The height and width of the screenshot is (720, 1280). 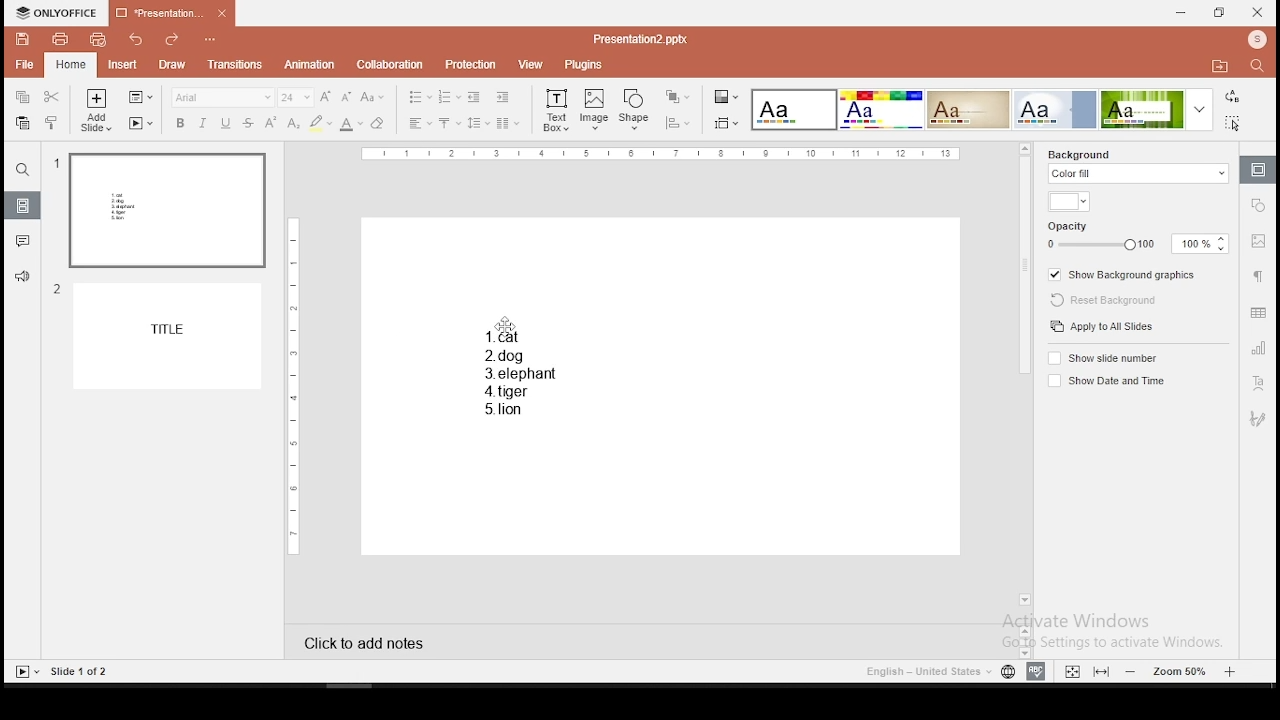 What do you see at coordinates (967, 110) in the screenshot?
I see `theme` at bounding box center [967, 110].